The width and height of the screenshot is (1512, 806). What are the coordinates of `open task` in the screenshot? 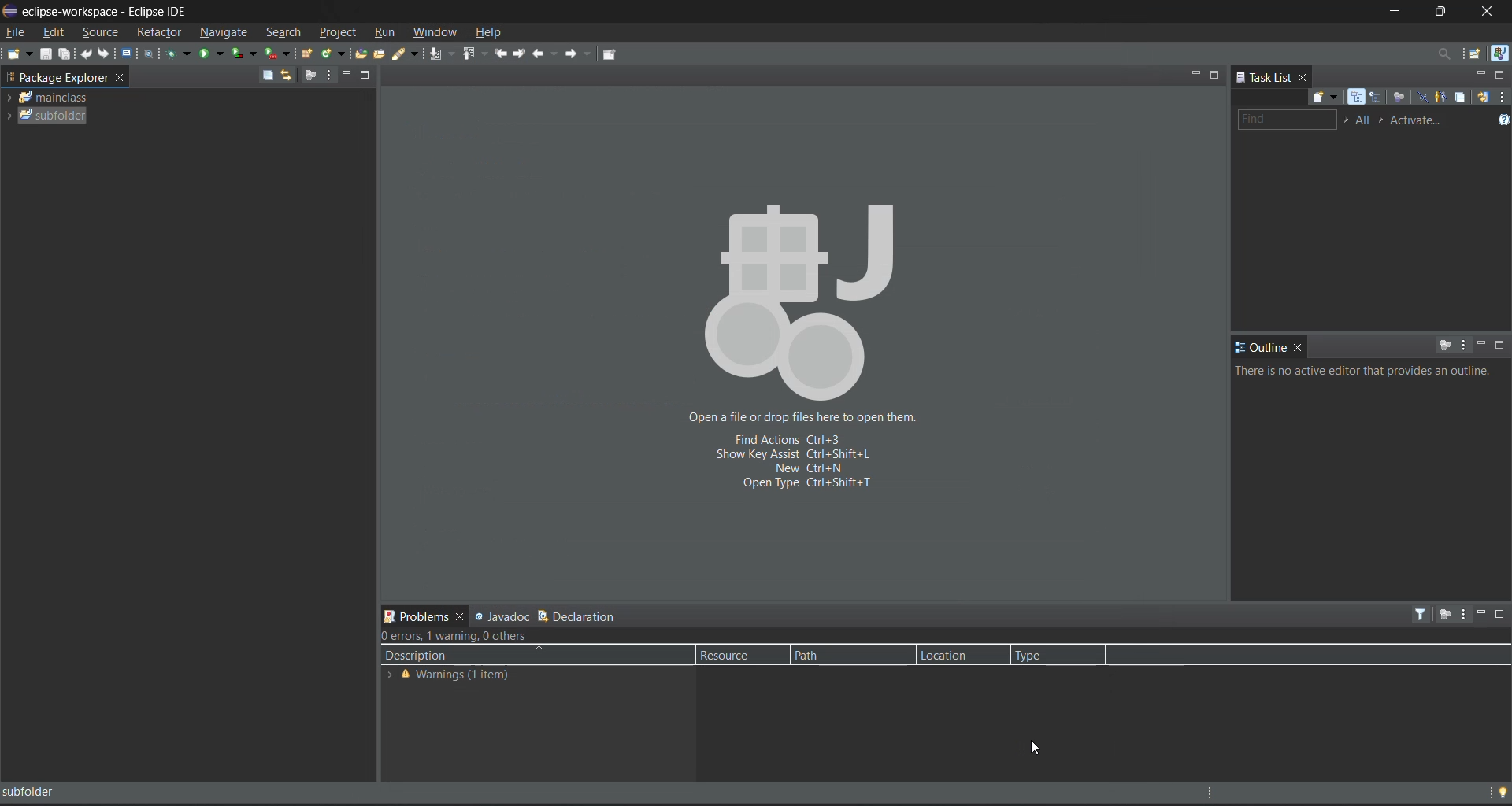 It's located at (383, 54).